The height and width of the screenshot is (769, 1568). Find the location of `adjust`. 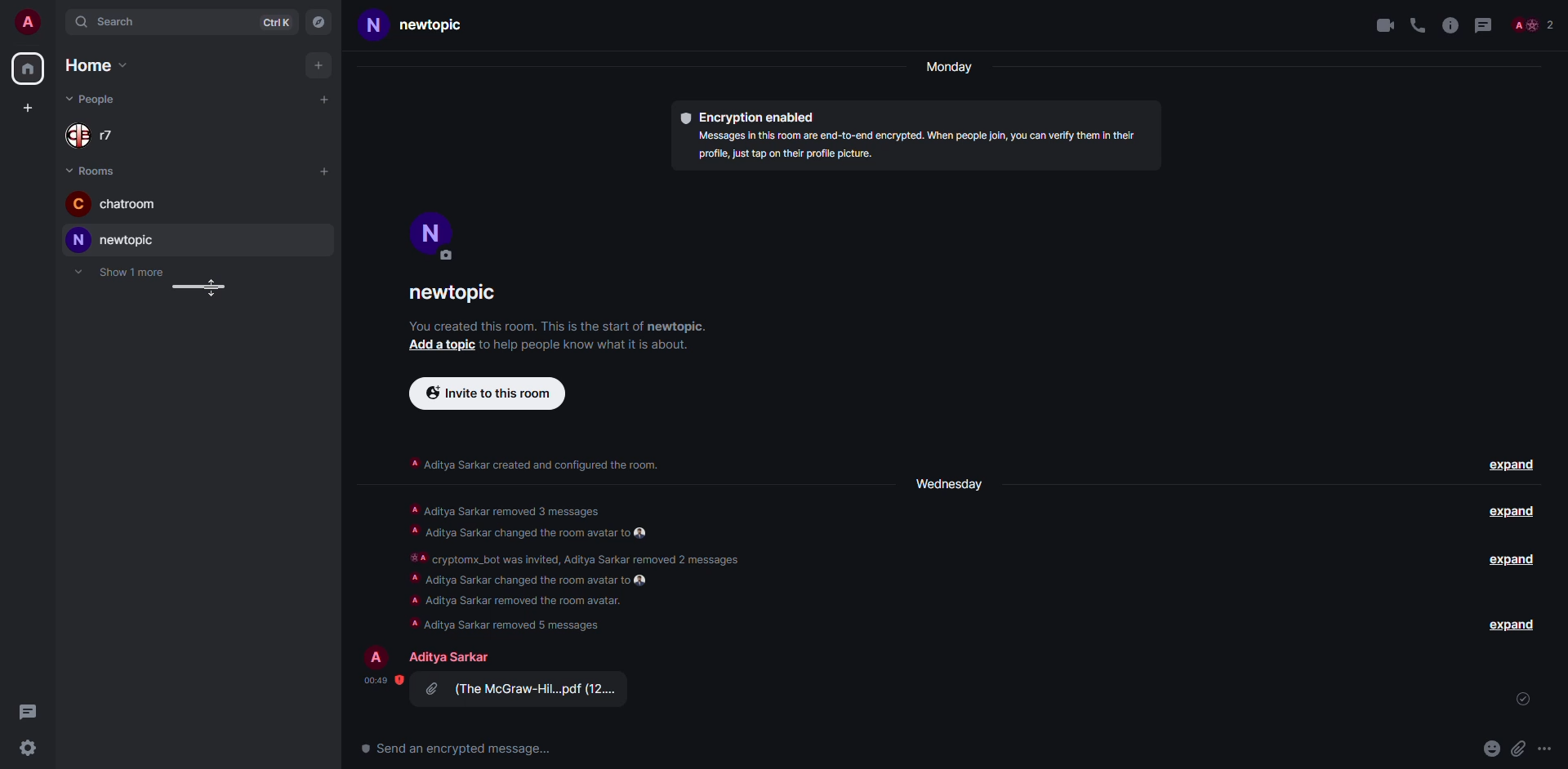

adjust is located at coordinates (194, 288).